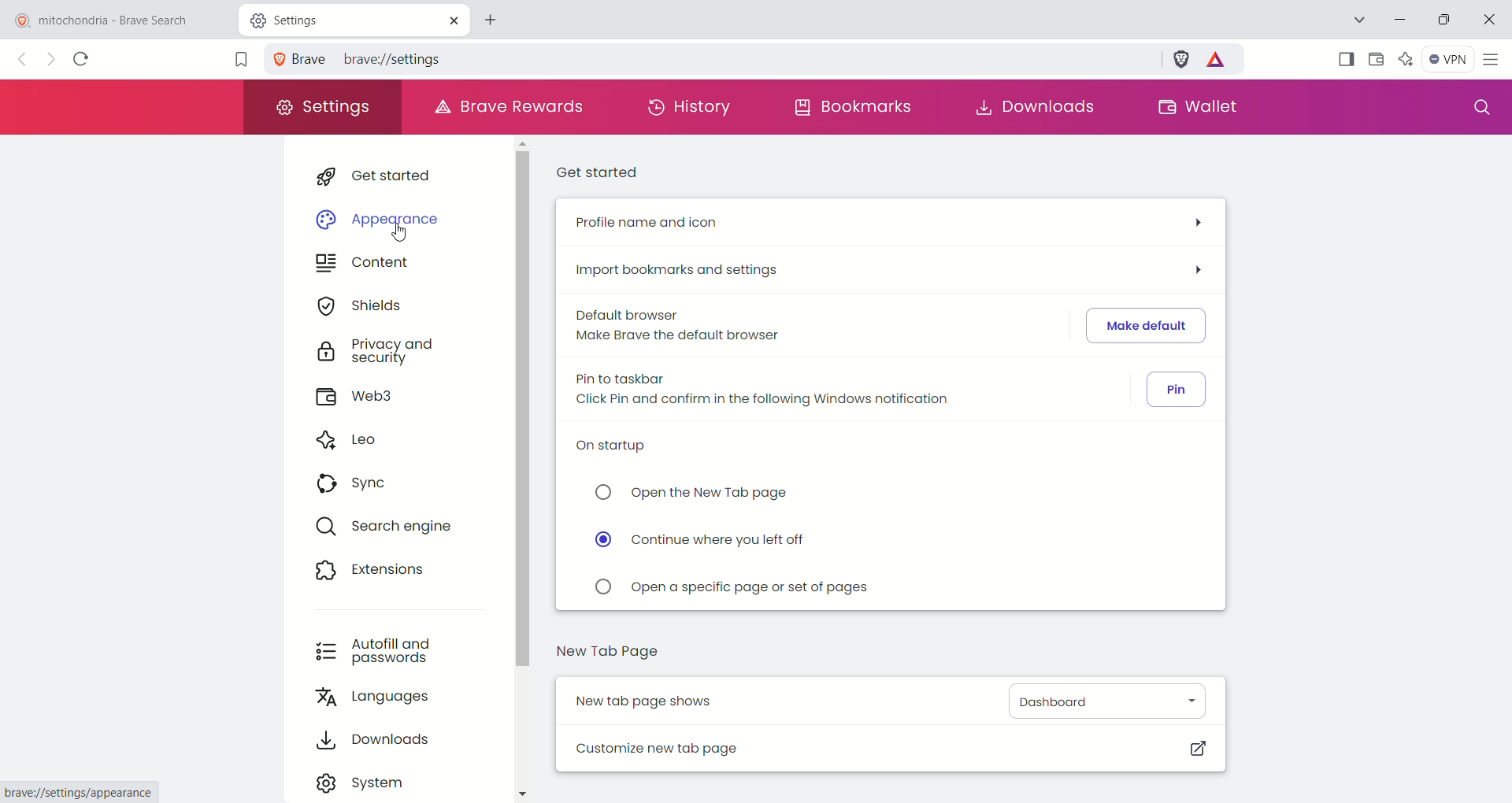 This screenshot has height=803, width=1512. I want to click on wallet, so click(1198, 106).